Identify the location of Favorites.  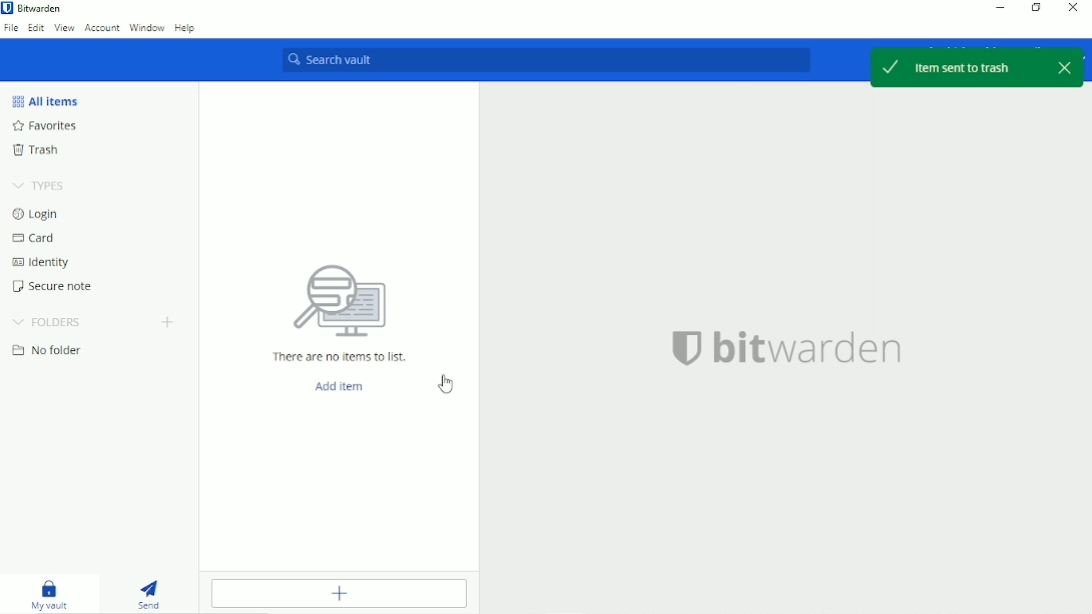
(49, 126).